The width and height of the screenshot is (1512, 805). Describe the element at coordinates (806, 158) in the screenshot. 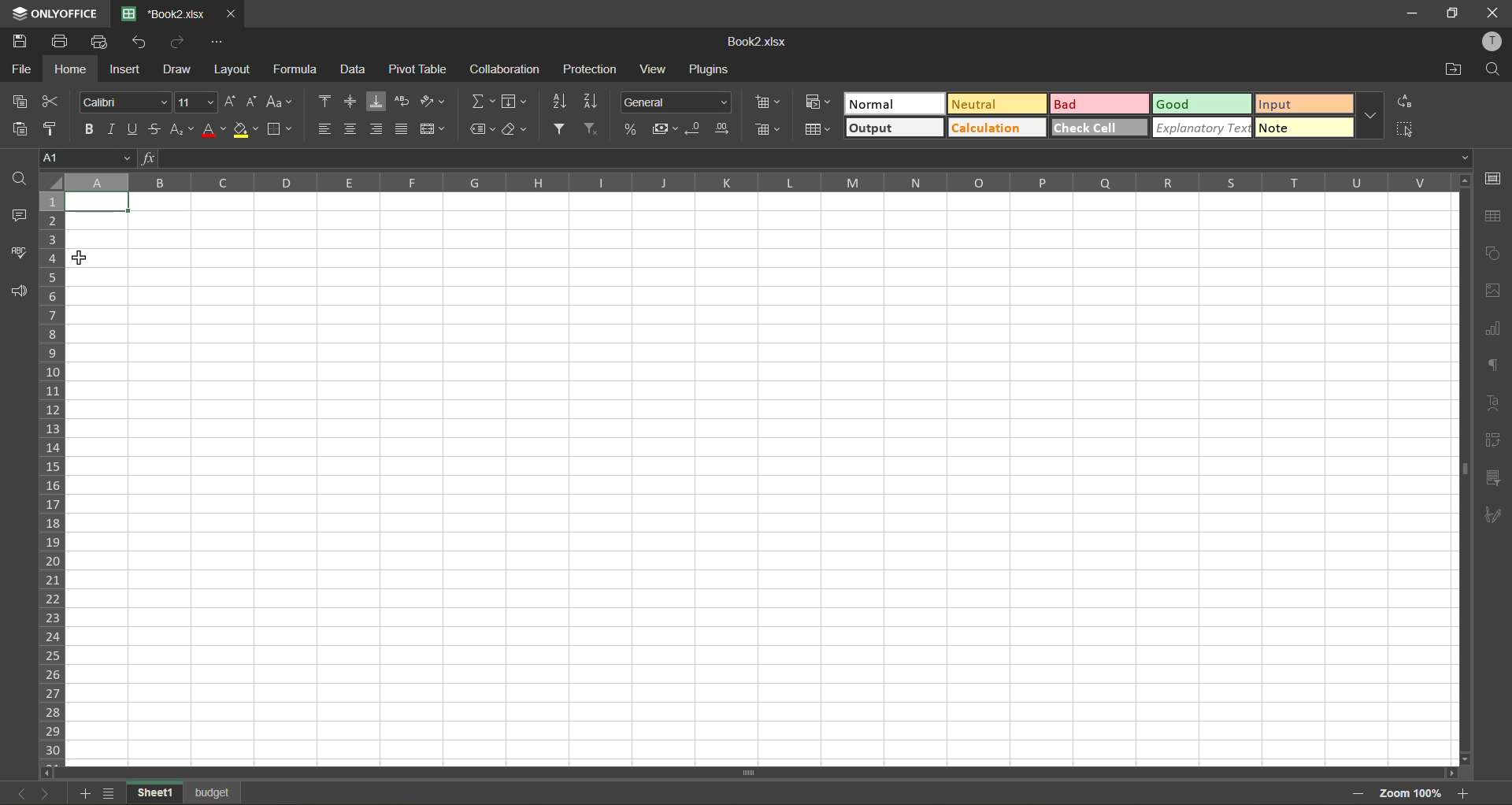

I see `formula bar` at that location.